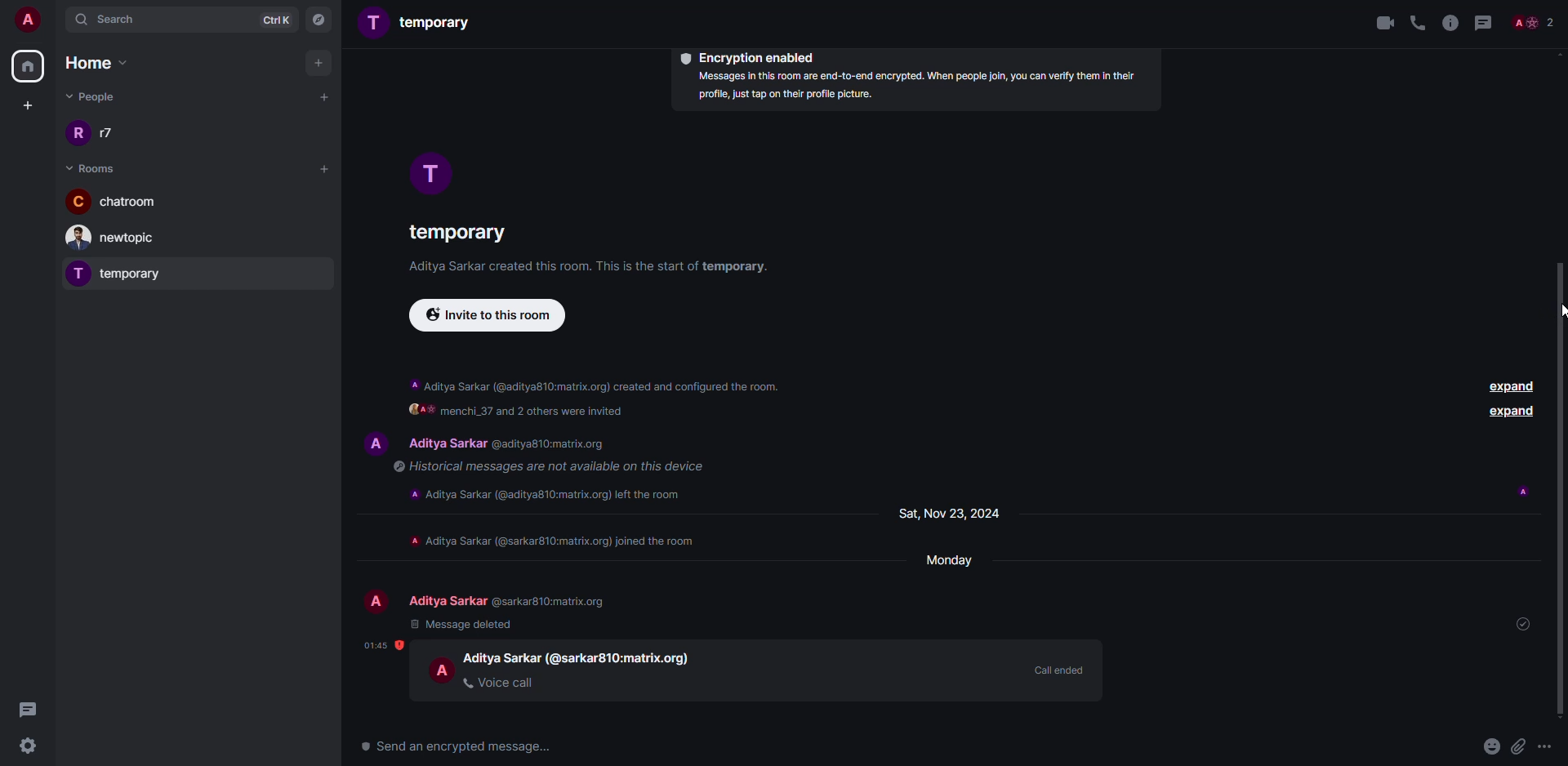  What do you see at coordinates (1561, 492) in the screenshot?
I see `scroll bar` at bounding box center [1561, 492].